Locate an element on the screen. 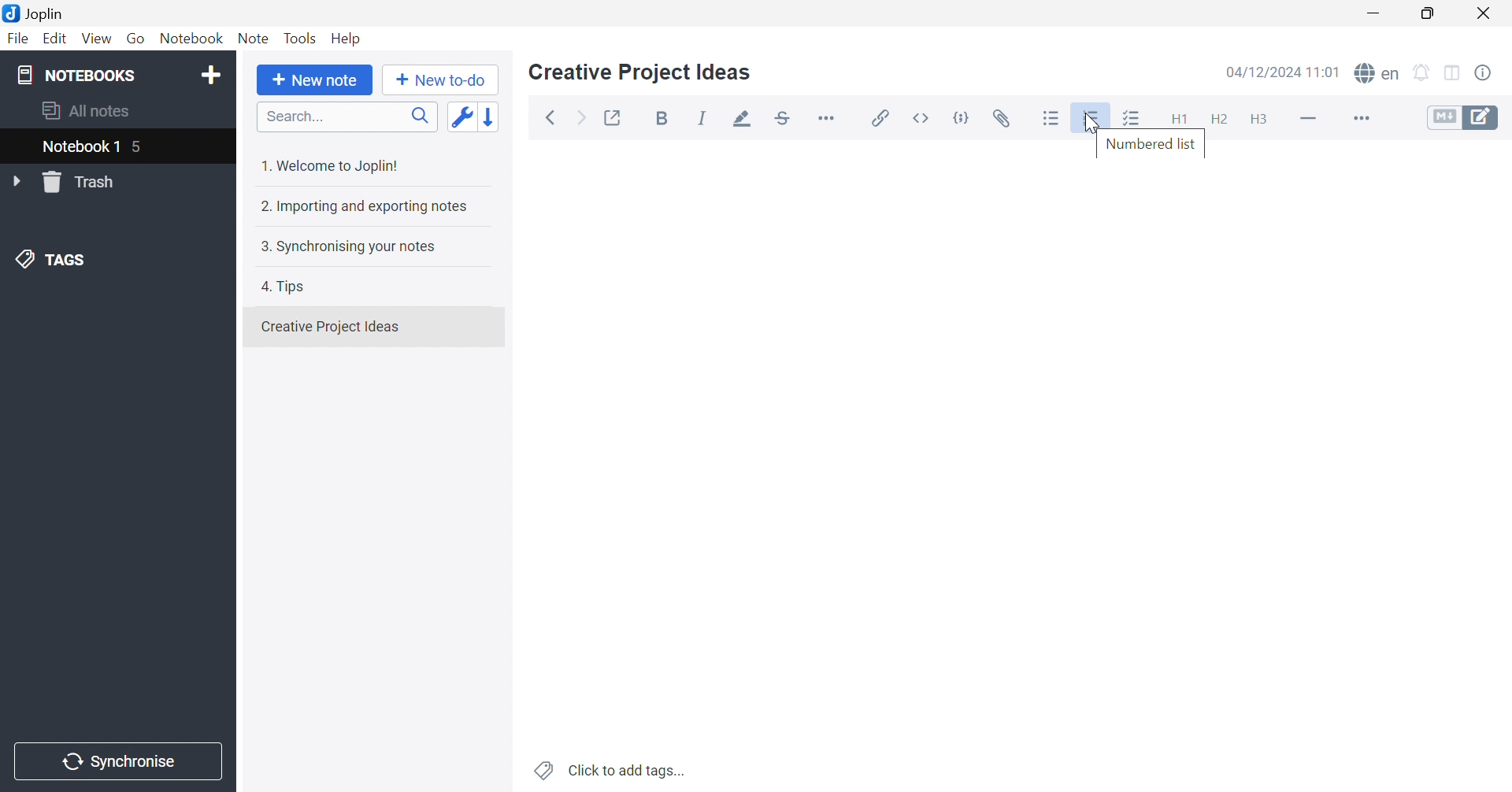 The height and width of the screenshot is (792, 1512). Checkbox list is located at coordinates (1132, 120).